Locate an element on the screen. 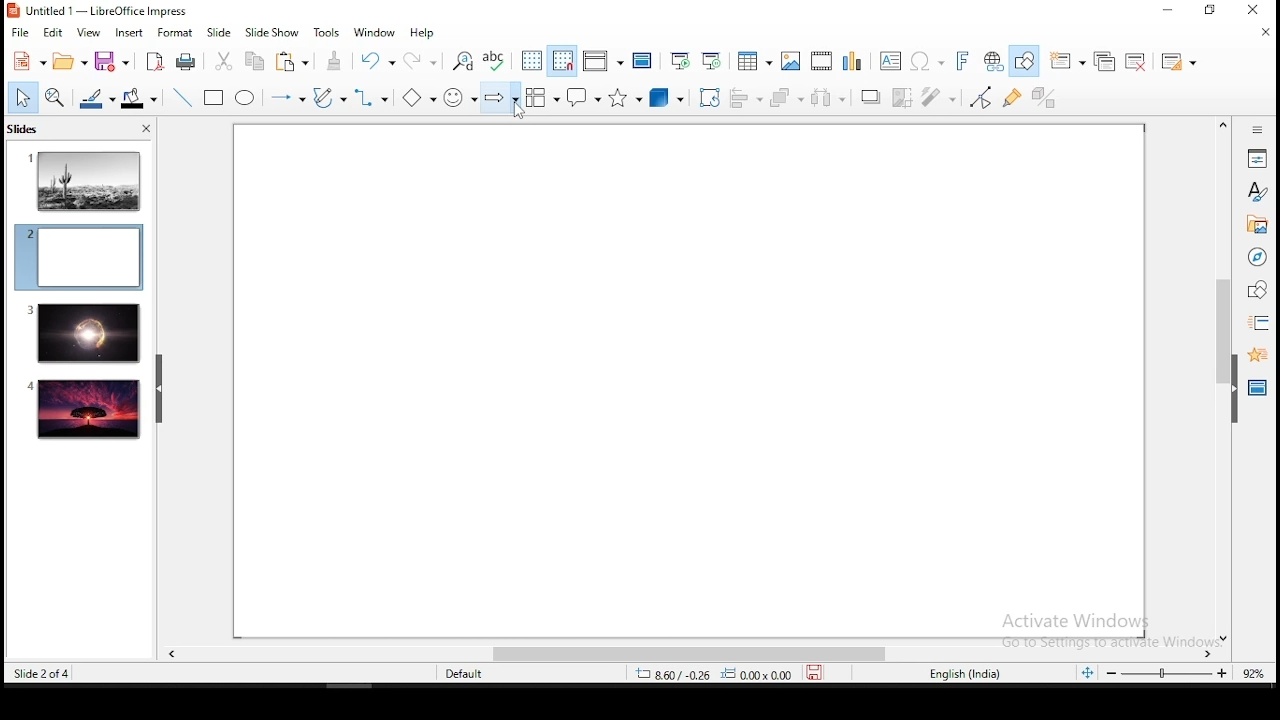  close  is located at coordinates (1260, 31).